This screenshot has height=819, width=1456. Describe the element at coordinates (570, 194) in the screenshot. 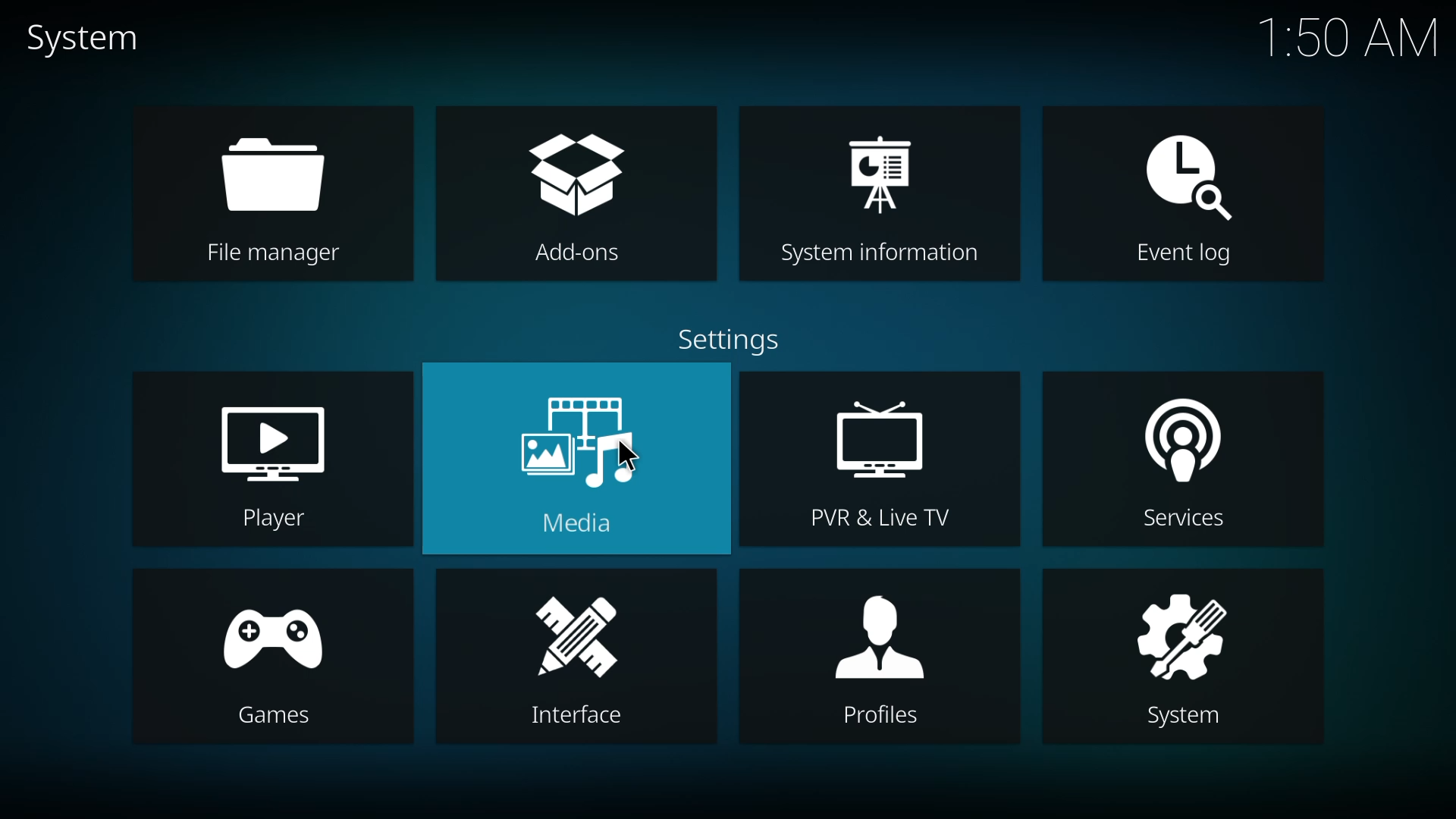

I see `add-ons` at that location.